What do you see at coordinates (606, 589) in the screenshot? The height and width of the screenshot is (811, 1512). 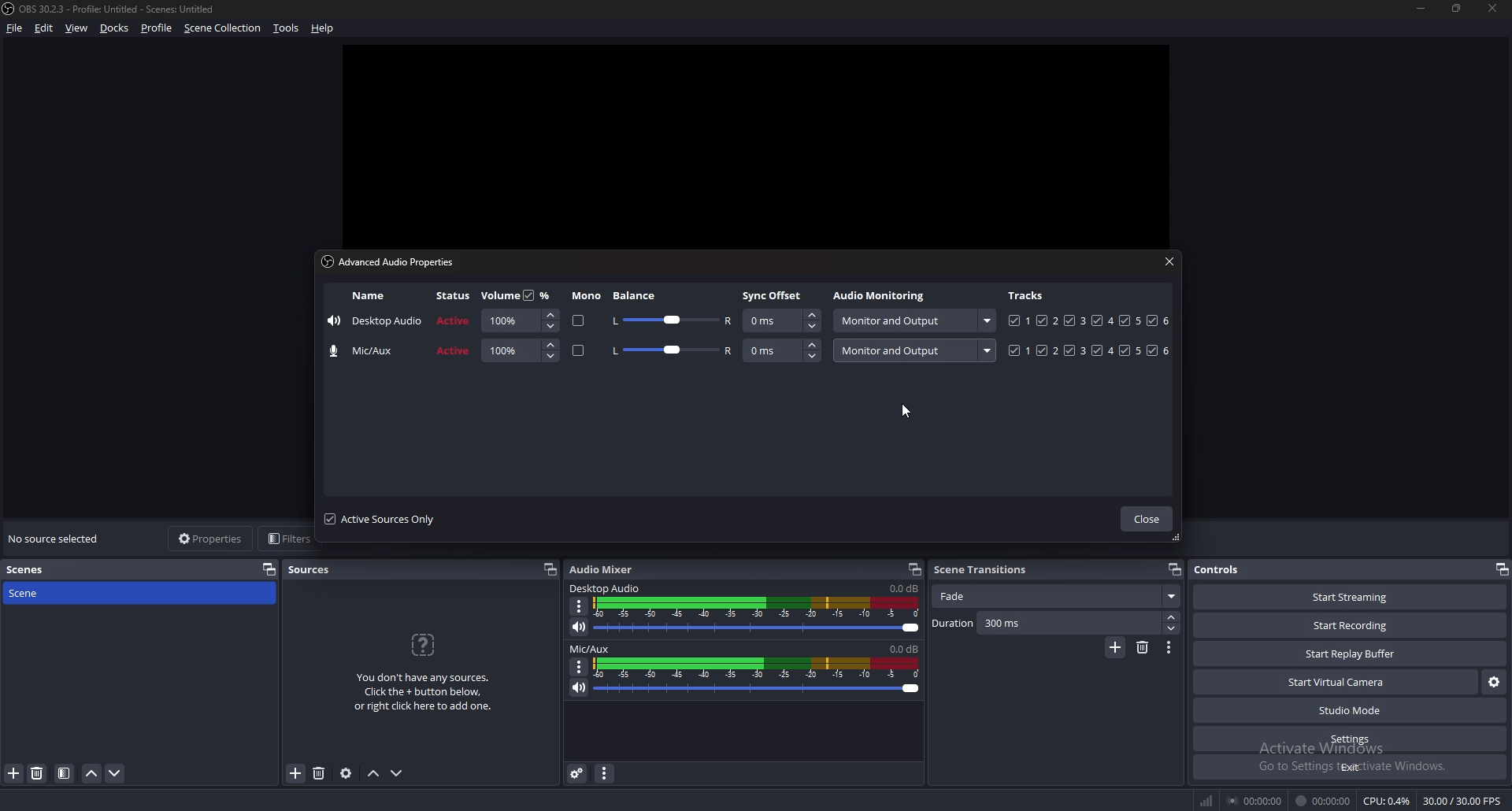 I see `desktop audio` at bounding box center [606, 589].